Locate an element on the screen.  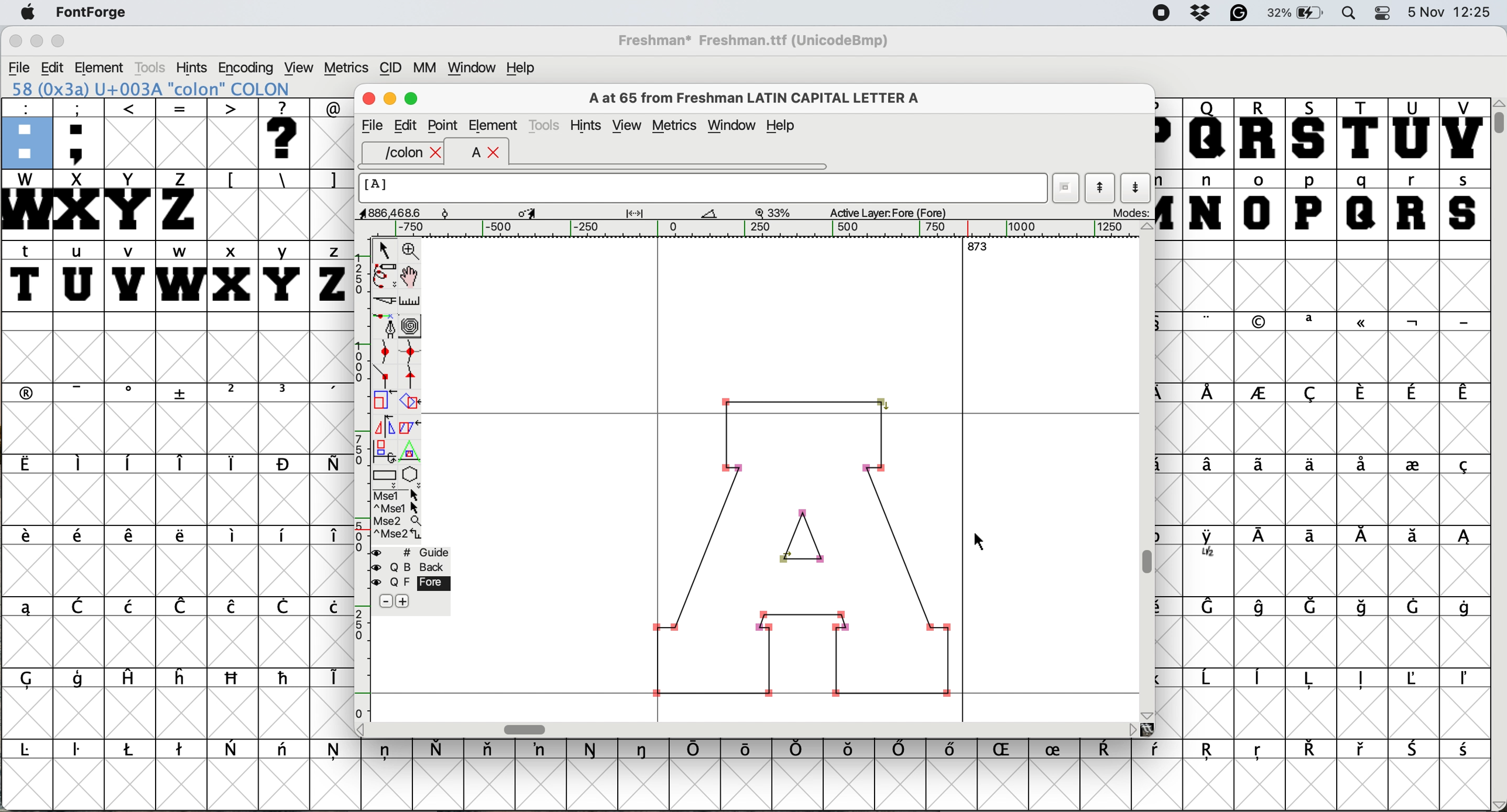
close is located at coordinates (367, 101).